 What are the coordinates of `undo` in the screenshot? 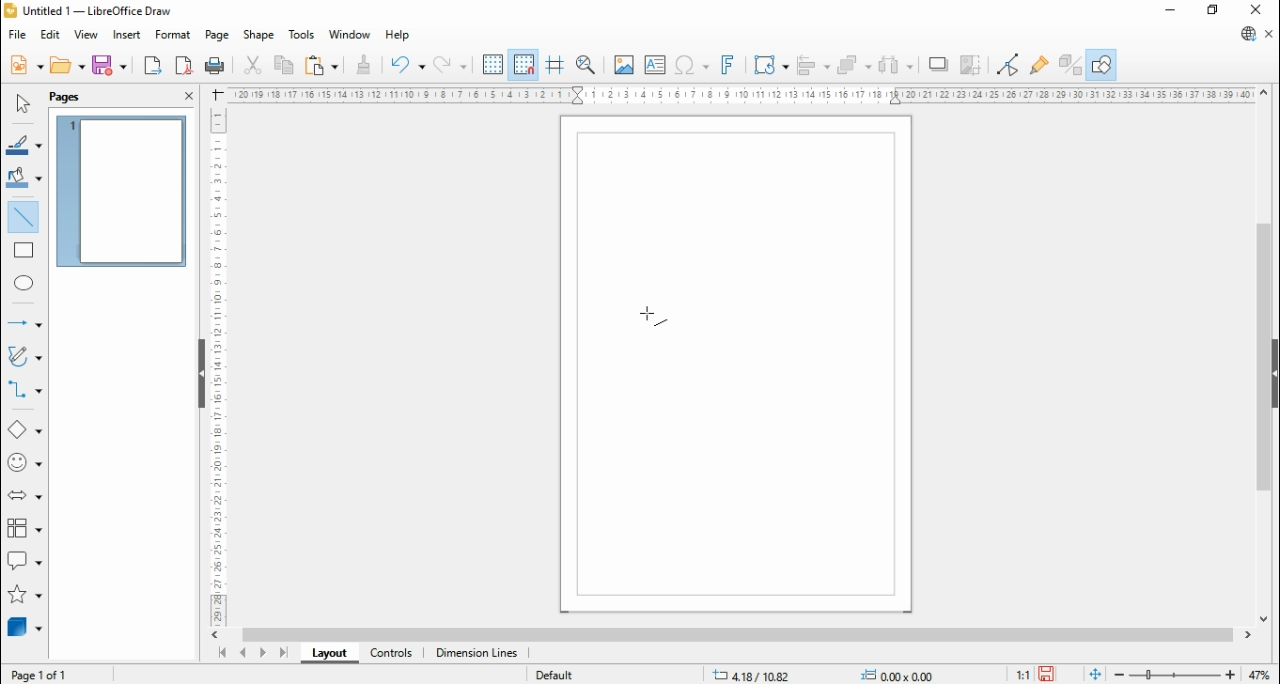 It's located at (406, 64).